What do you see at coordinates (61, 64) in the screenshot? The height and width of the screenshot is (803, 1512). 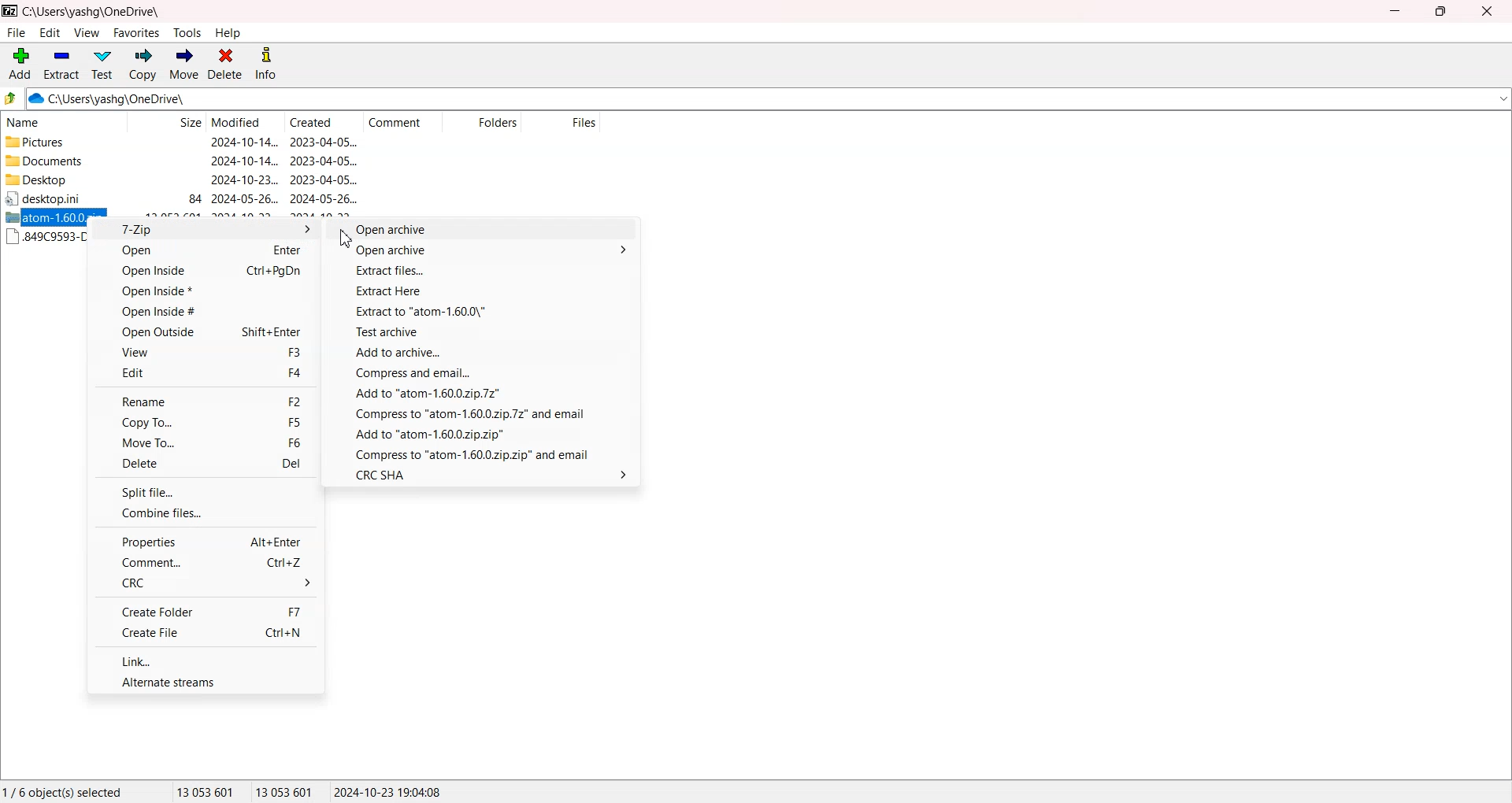 I see `Extract` at bounding box center [61, 64].